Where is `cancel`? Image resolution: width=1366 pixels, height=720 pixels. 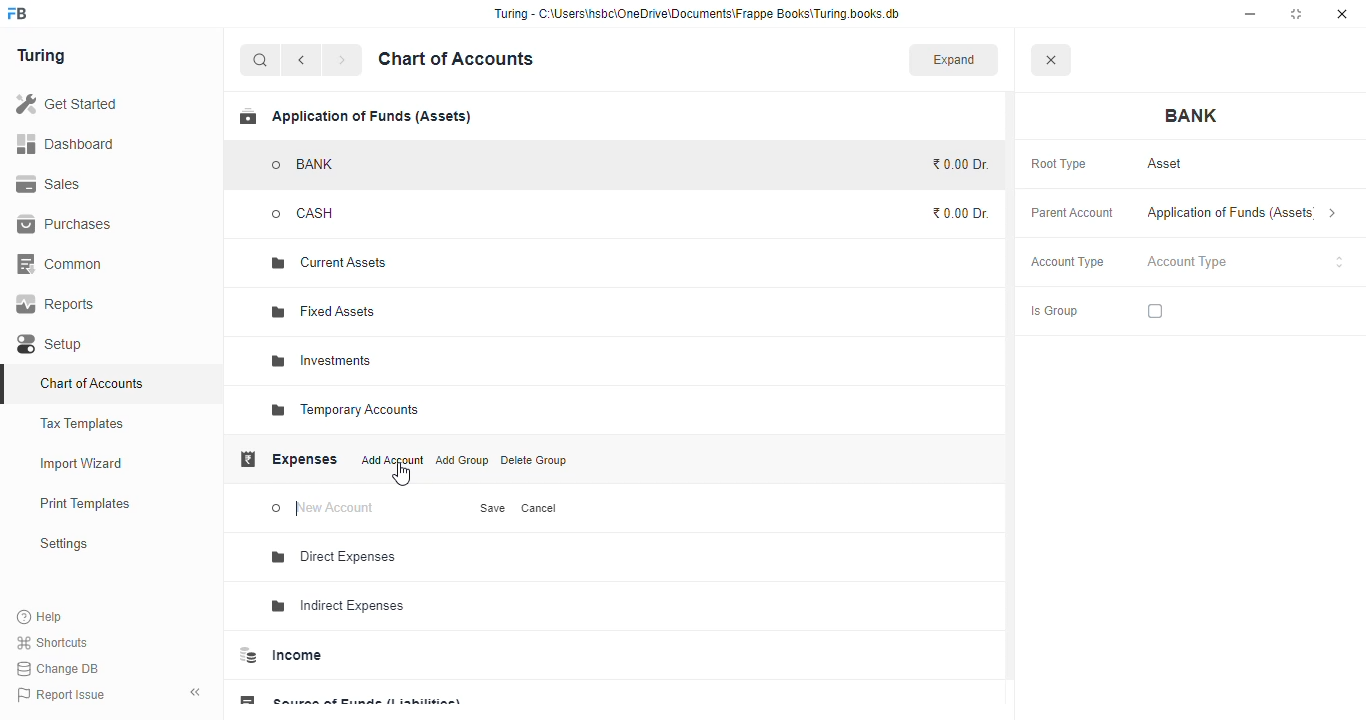 cancel is located at coordinates (540, 508).